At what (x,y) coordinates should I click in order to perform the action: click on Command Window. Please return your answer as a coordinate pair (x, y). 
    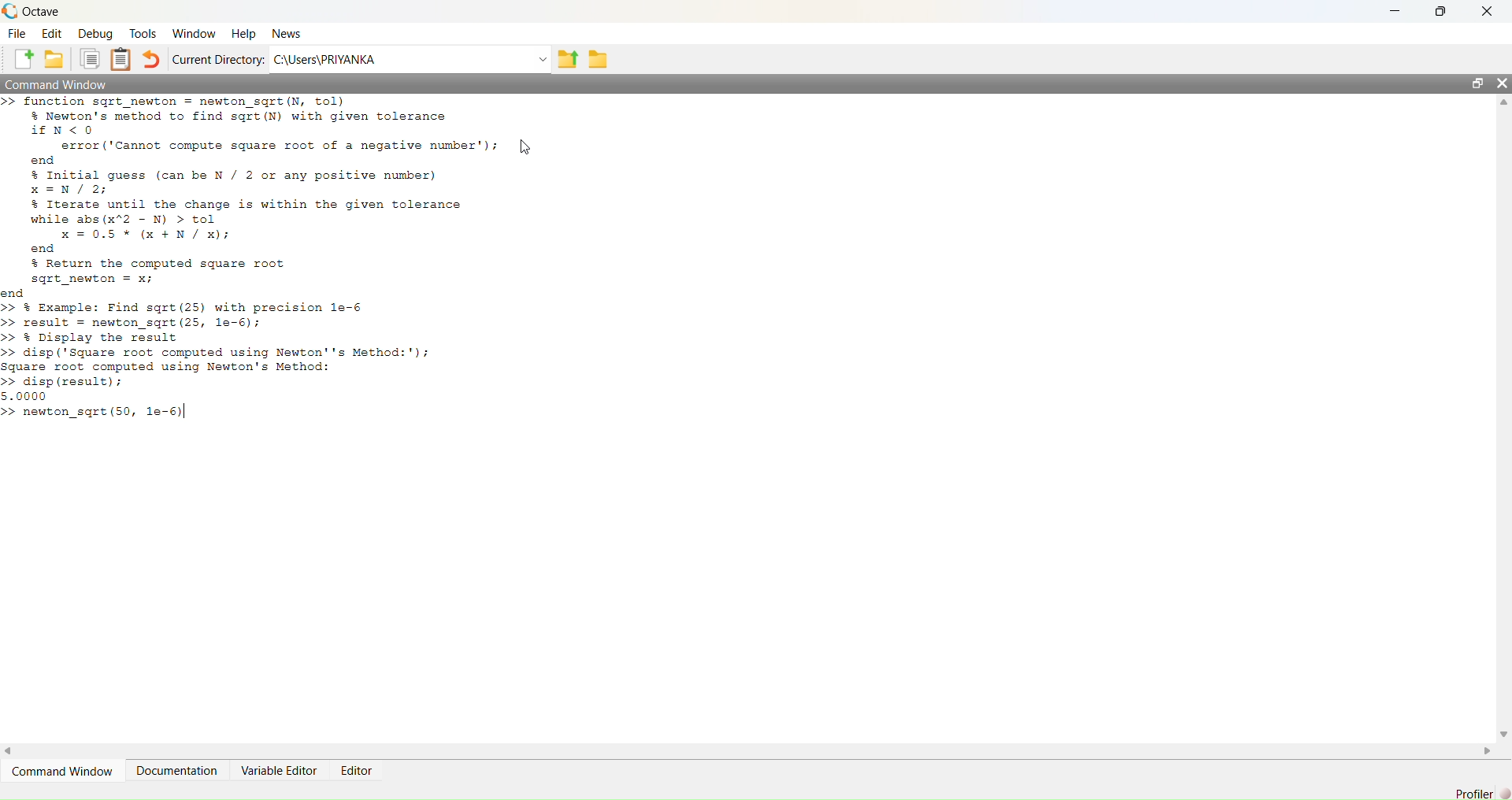
    Looking at the image, I should click on (66, 772).